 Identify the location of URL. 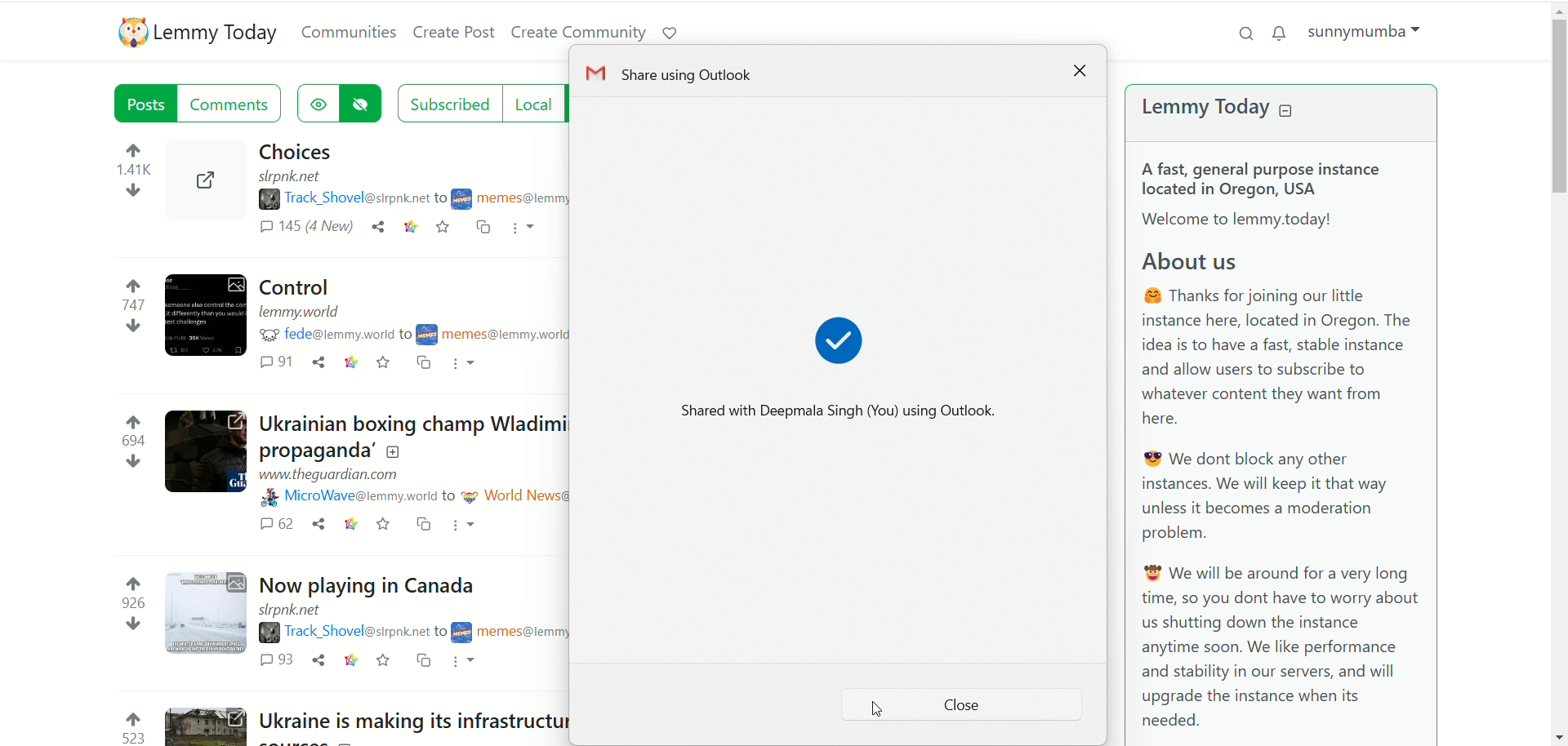
(304, 313).